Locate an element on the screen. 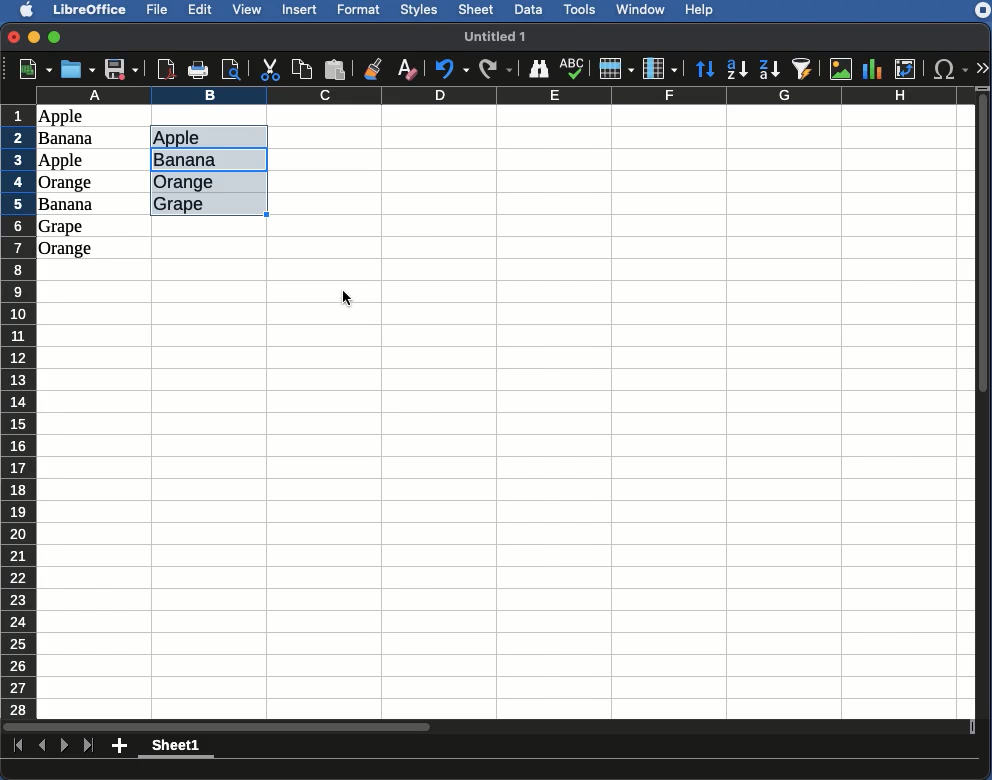 The width and height of the screenshot is (992, 780). Copy is located at coordinates (302, 69).